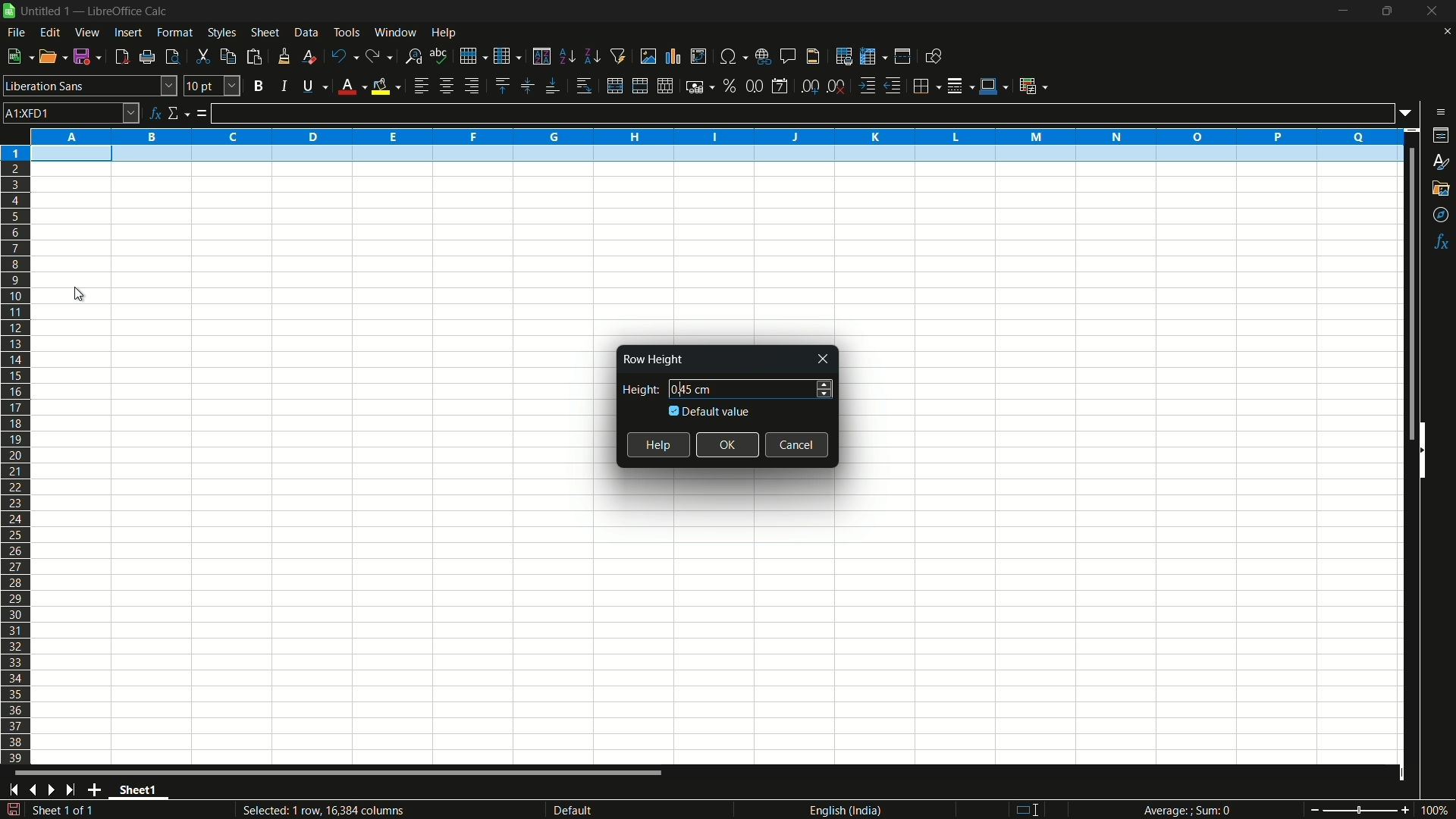 The height and width of the screenshot is (819, 1456). What do you see at coordinates (651, 359) in the screenshot?
I see `Row Height` at bounding box center [651, 359].